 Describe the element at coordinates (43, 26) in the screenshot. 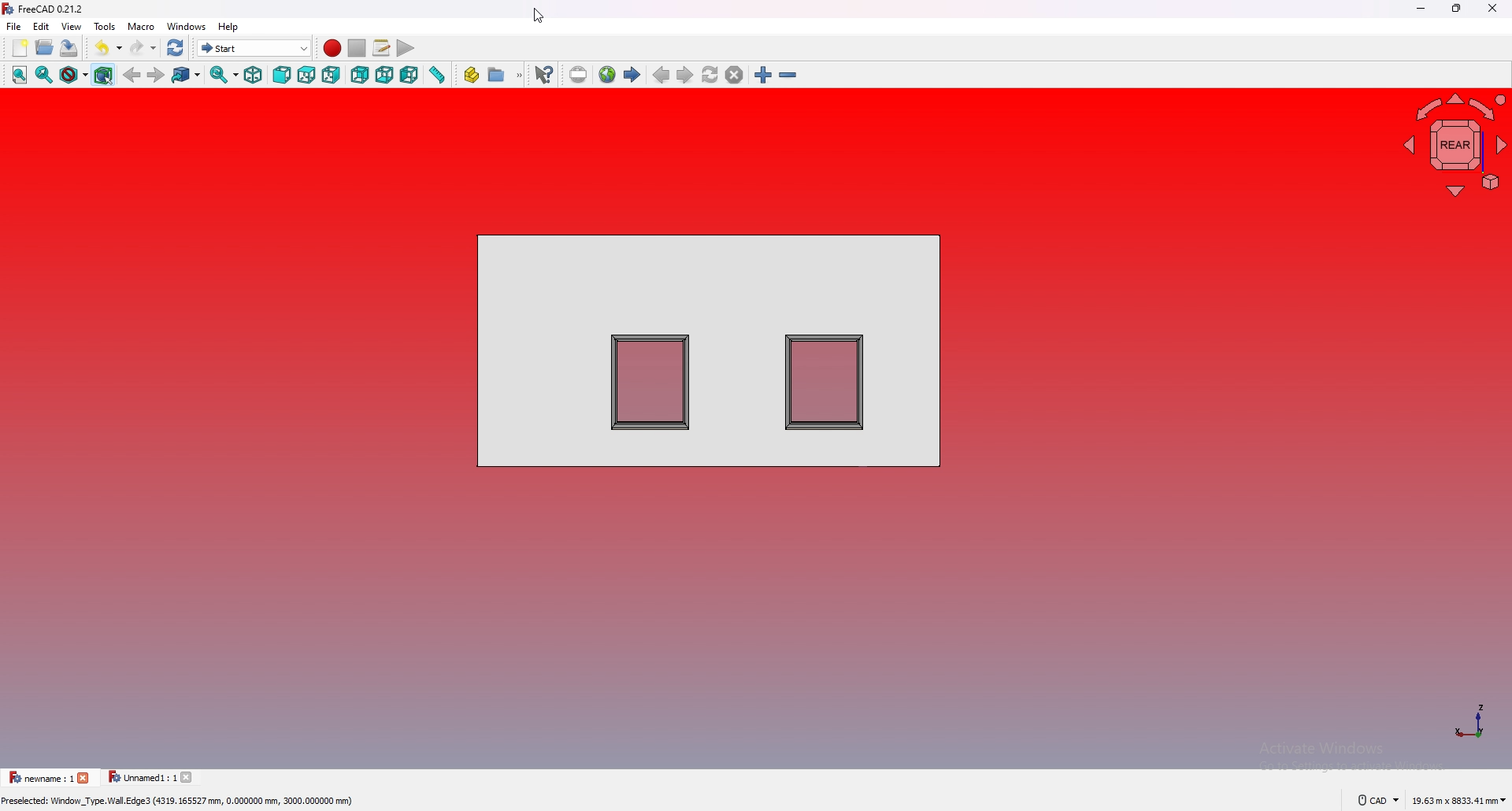

I see `edit` at that location.